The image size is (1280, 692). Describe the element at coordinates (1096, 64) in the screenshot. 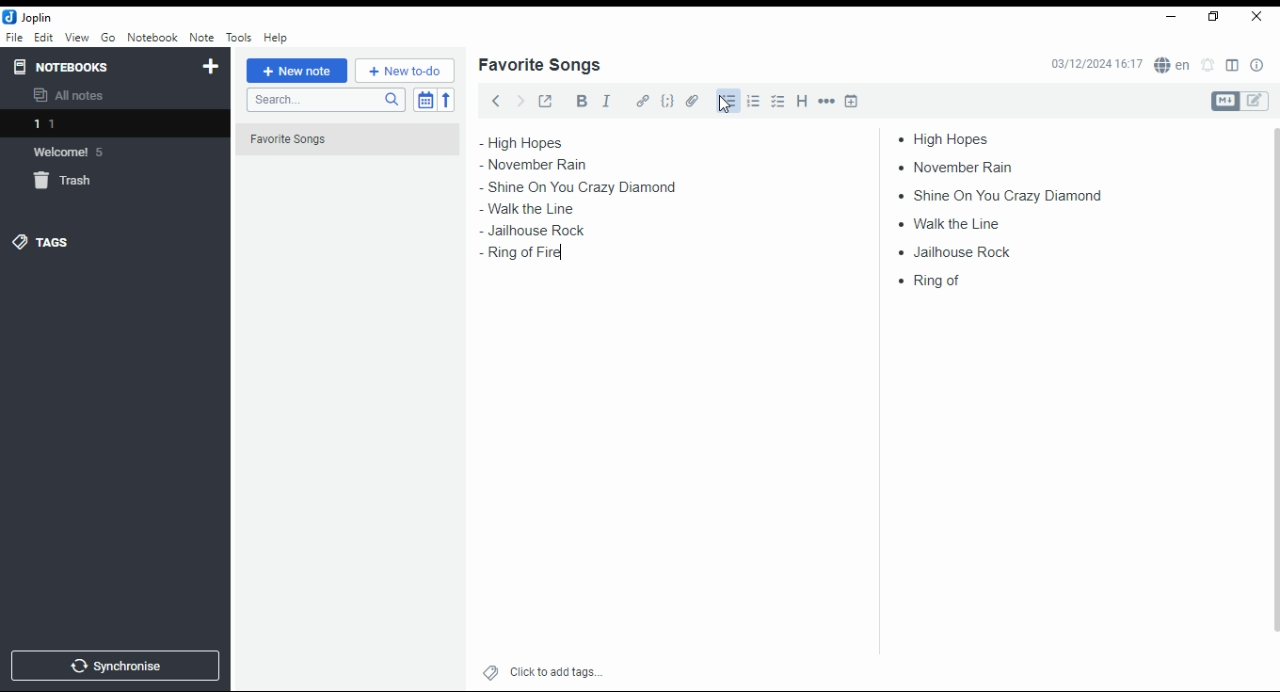

I see `03/12/2024 16:16` at that location.